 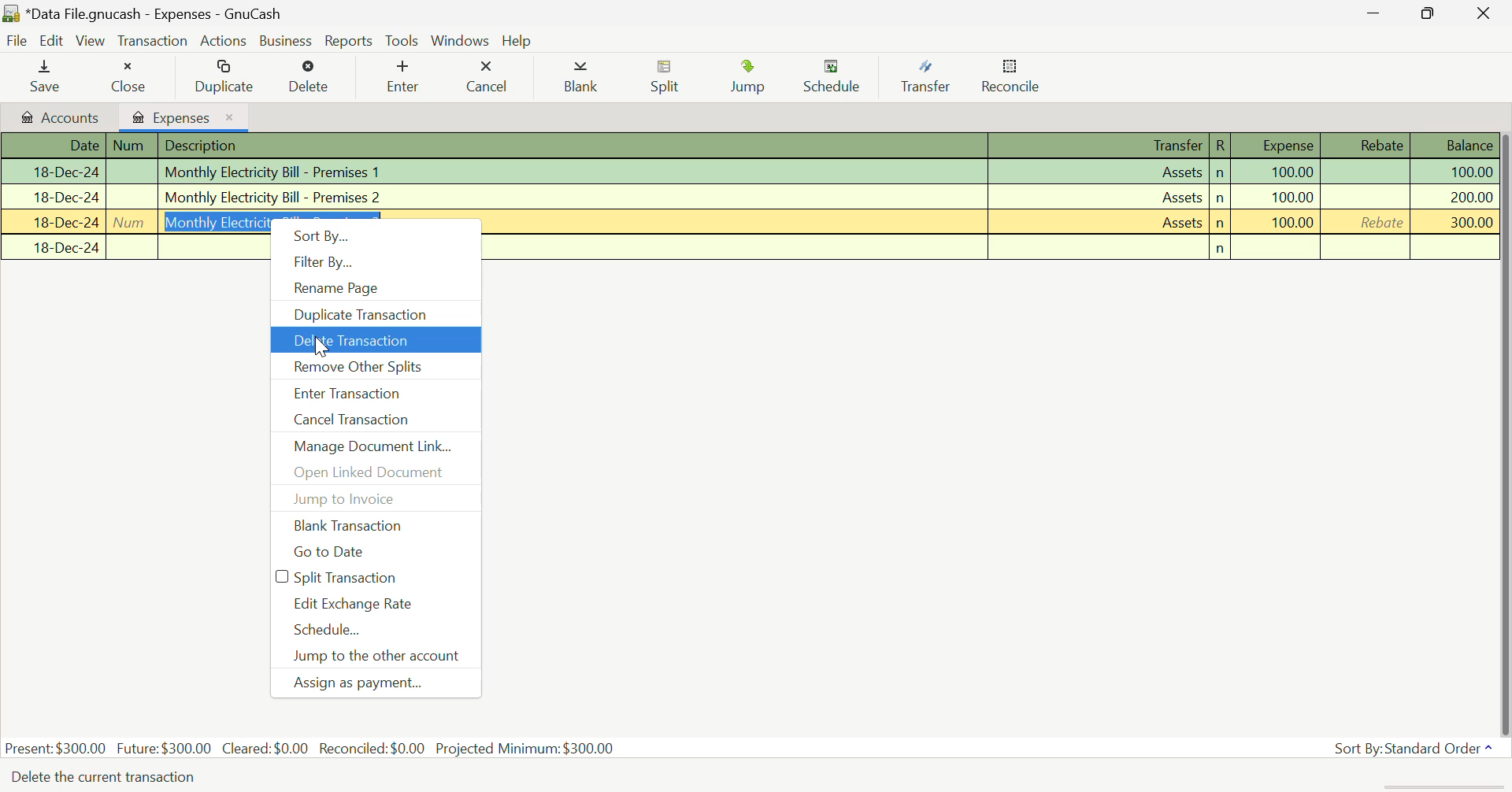 What do you see at coordinates (154, 13) in the screenshot?
I see `*Data File.gnucash - Expenses - GnuCash` at bounding box center [154, 13].